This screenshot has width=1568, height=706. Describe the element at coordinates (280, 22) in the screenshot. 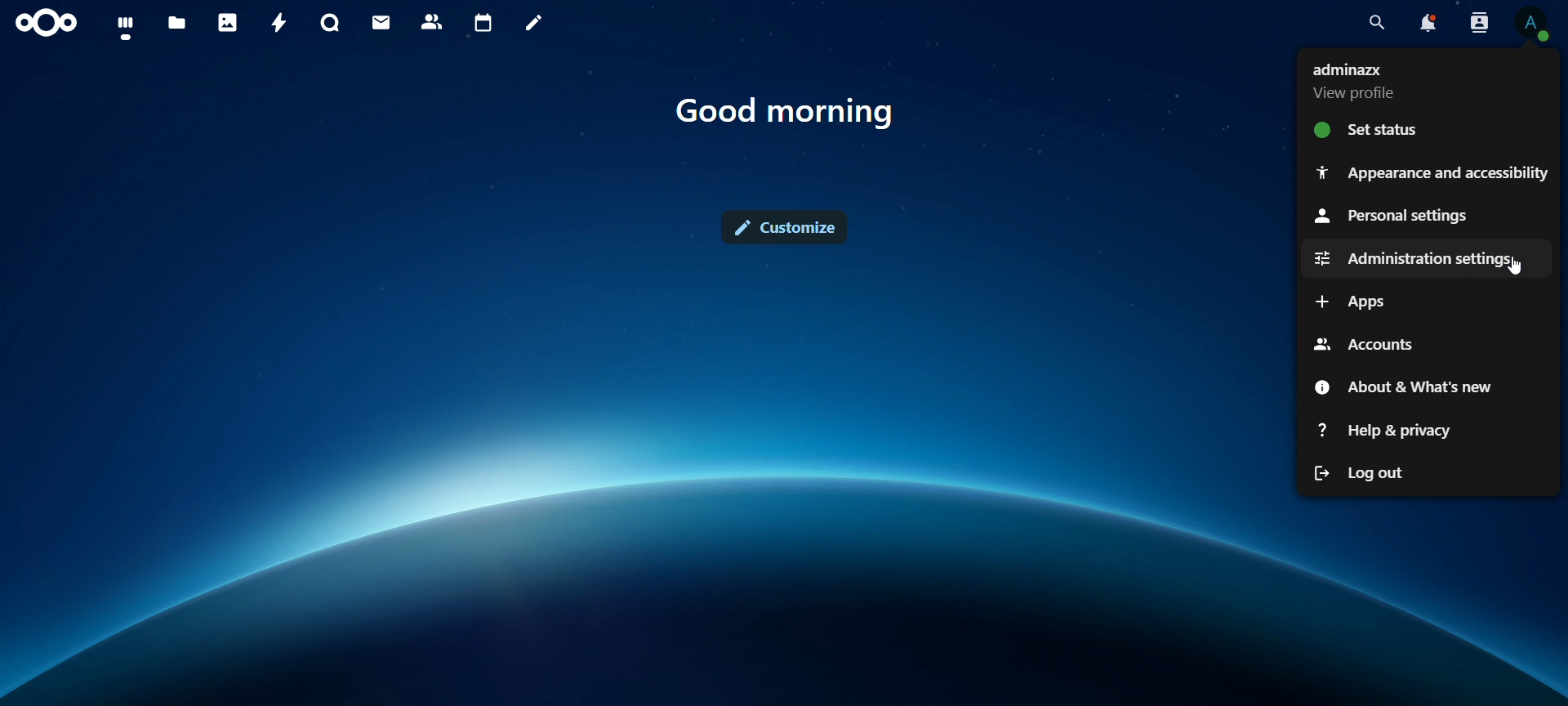

I see `activity` at that location.